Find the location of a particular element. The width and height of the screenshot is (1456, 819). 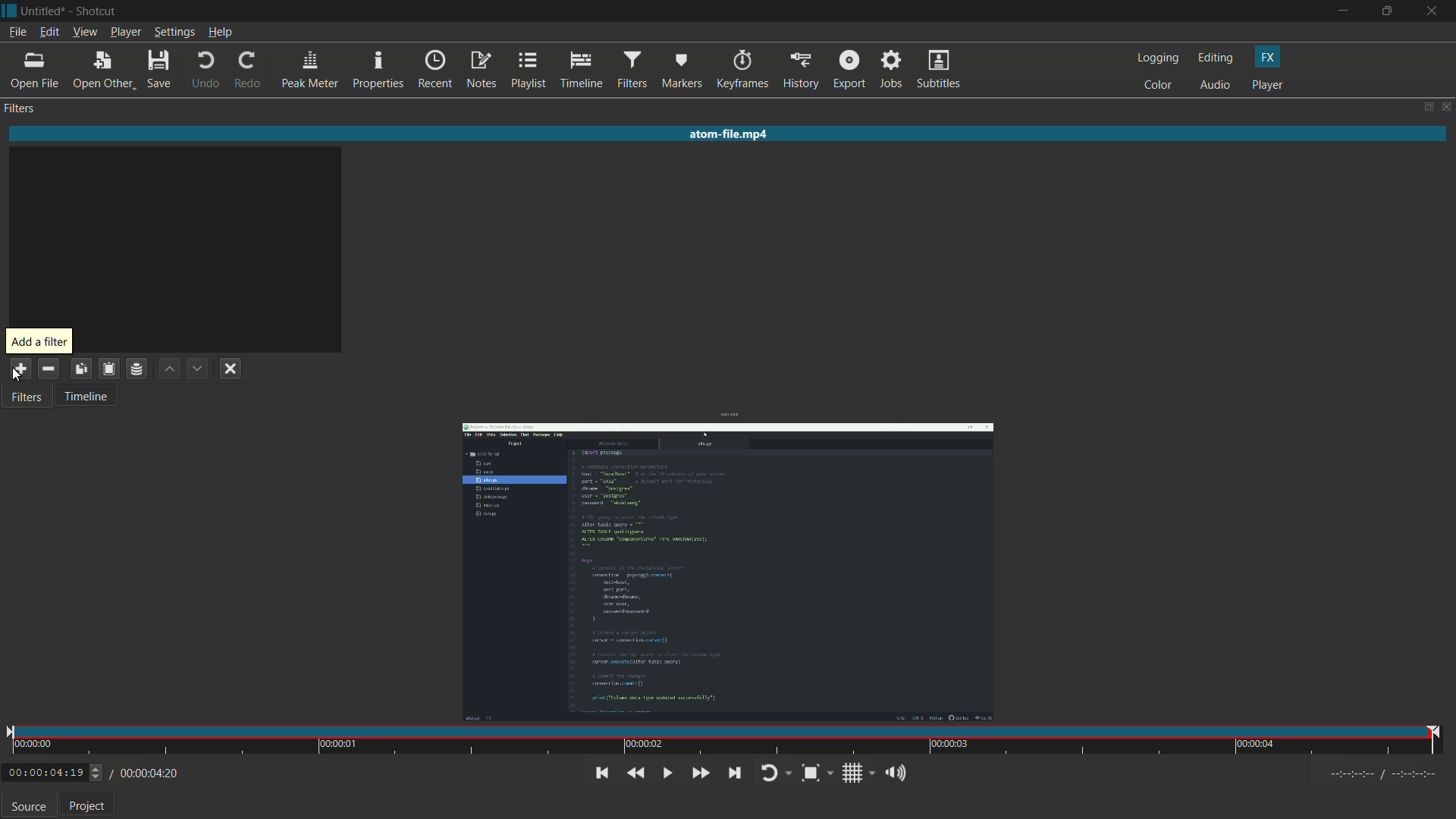

Timecodes is located at coordinates (1376, 777).